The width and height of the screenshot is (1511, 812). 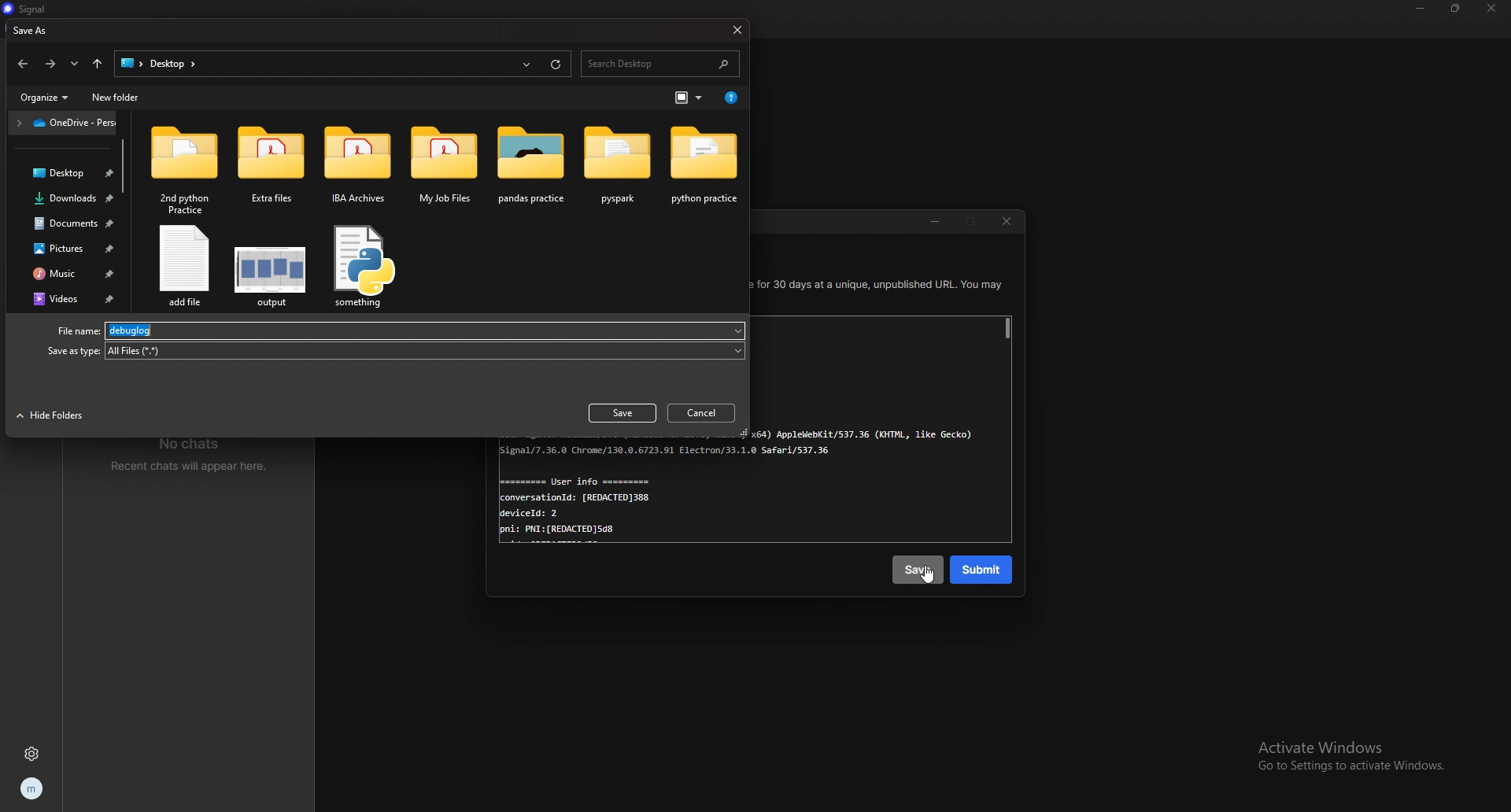 What do you see at coordinates (268, 166) in the screenshot?
I see `folder` at bounding box center [268, 166].